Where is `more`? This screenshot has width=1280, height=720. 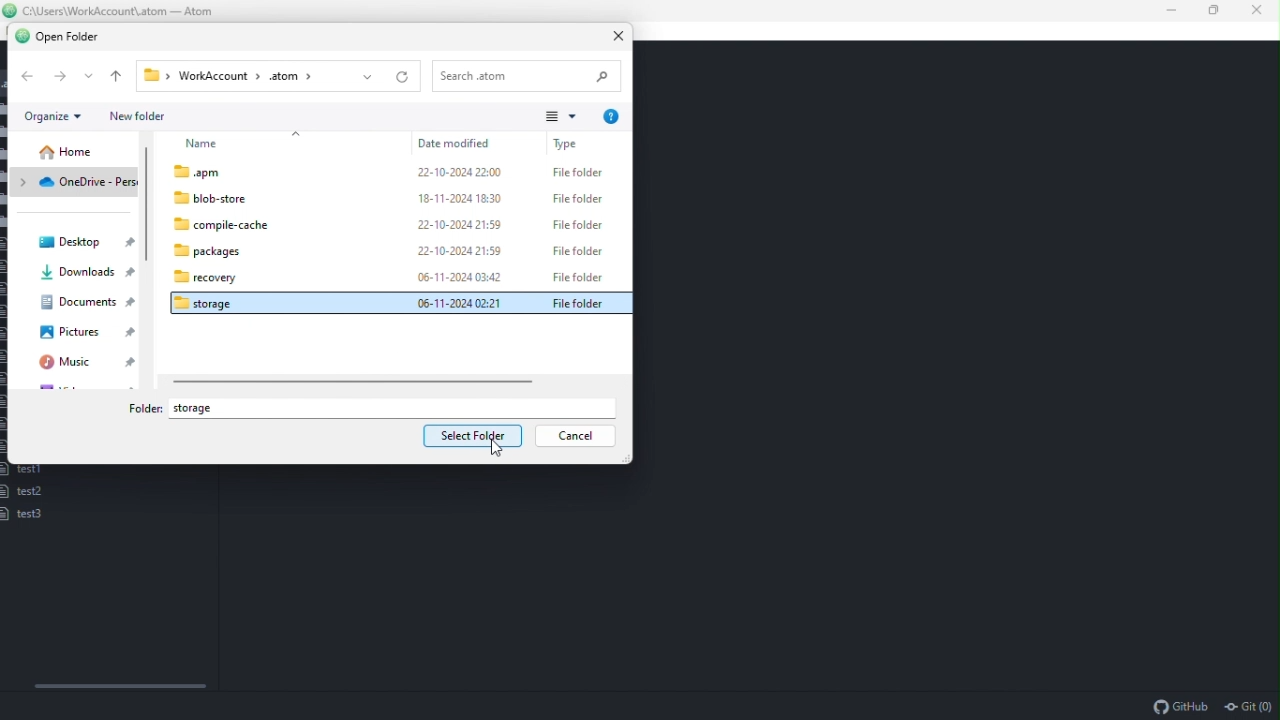
more is located at coordinates (92, 74).